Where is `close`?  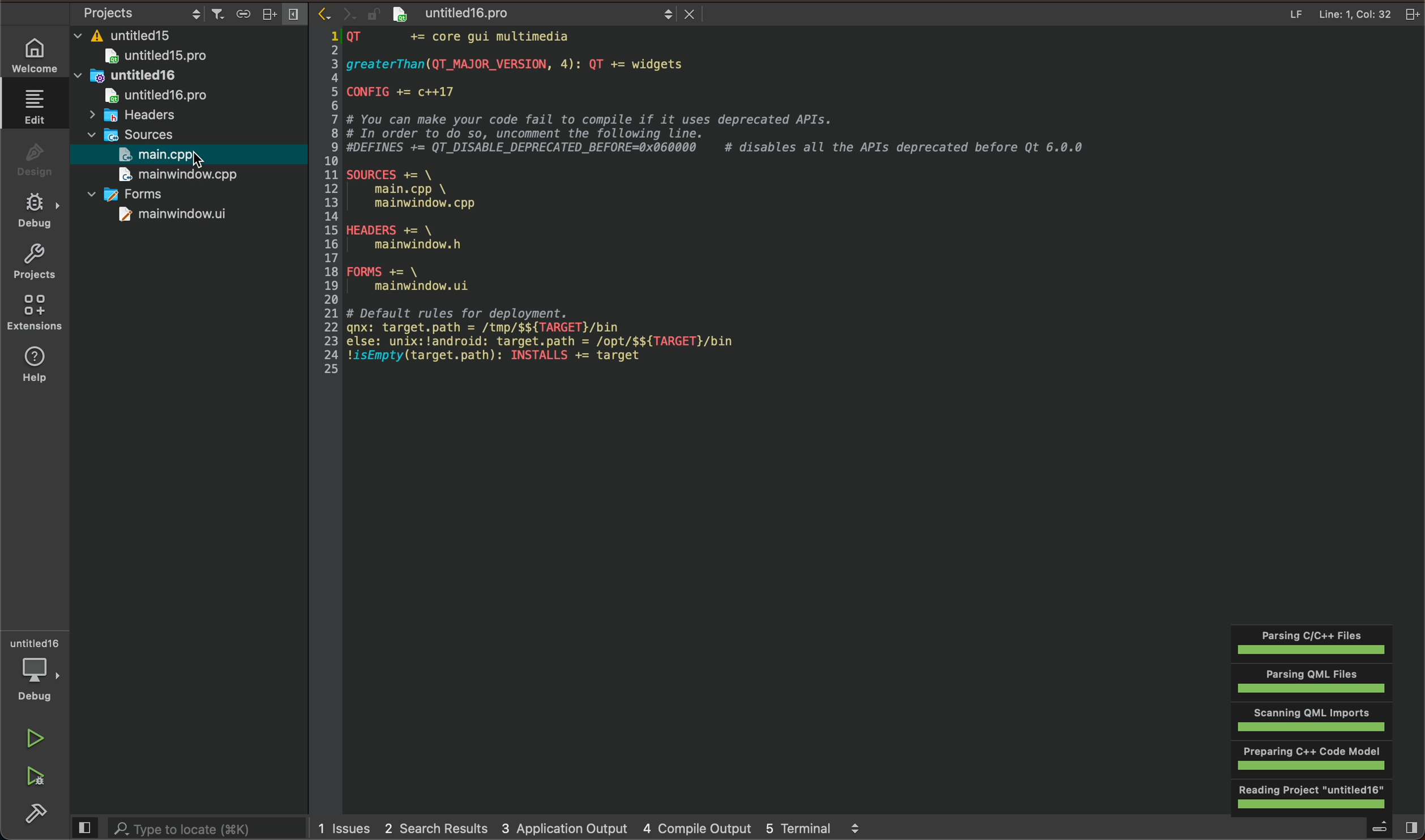
close is located at coordinates (683, 14).